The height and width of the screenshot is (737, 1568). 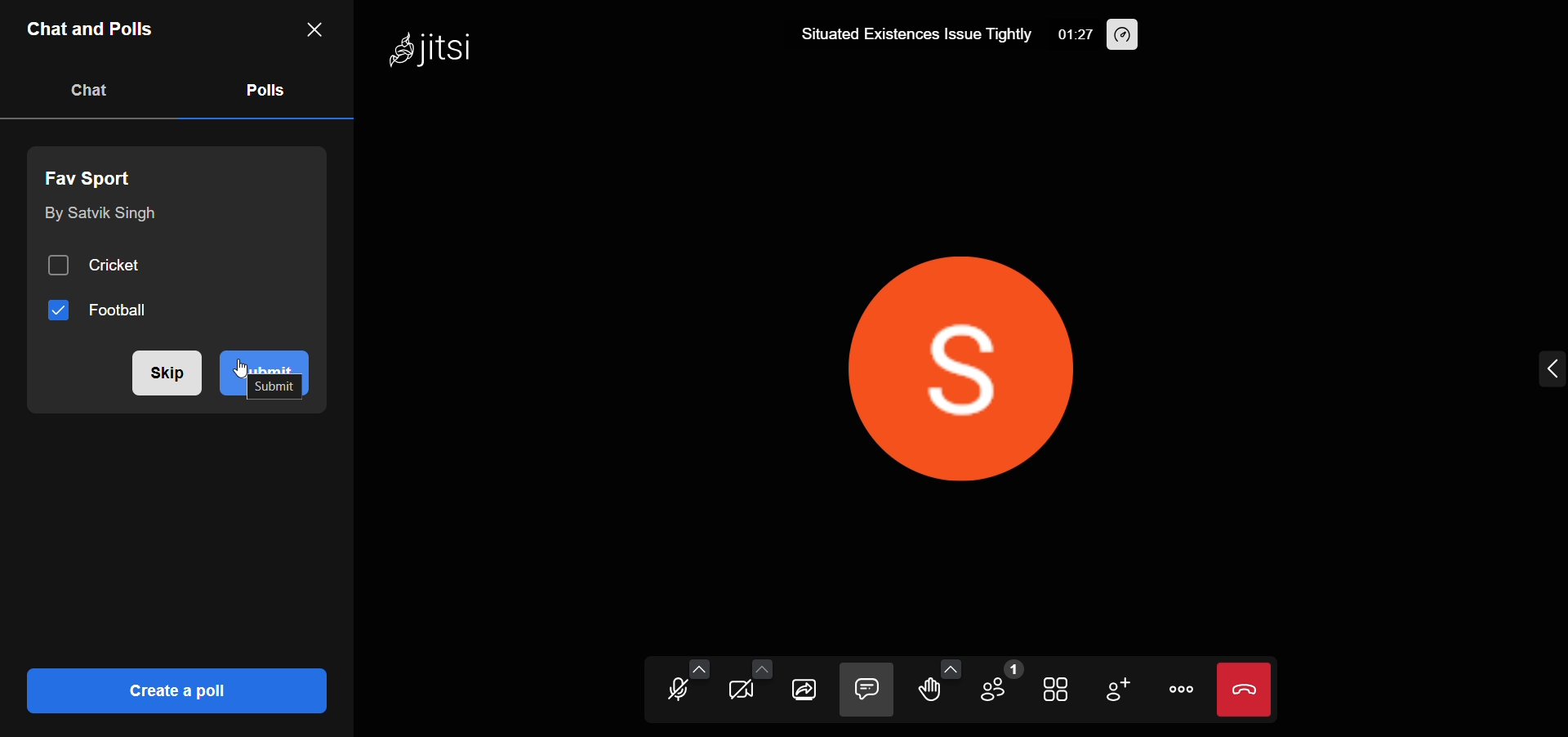 I want to click on Situated Existences Issue Tightly, so click(x=913, y=34).